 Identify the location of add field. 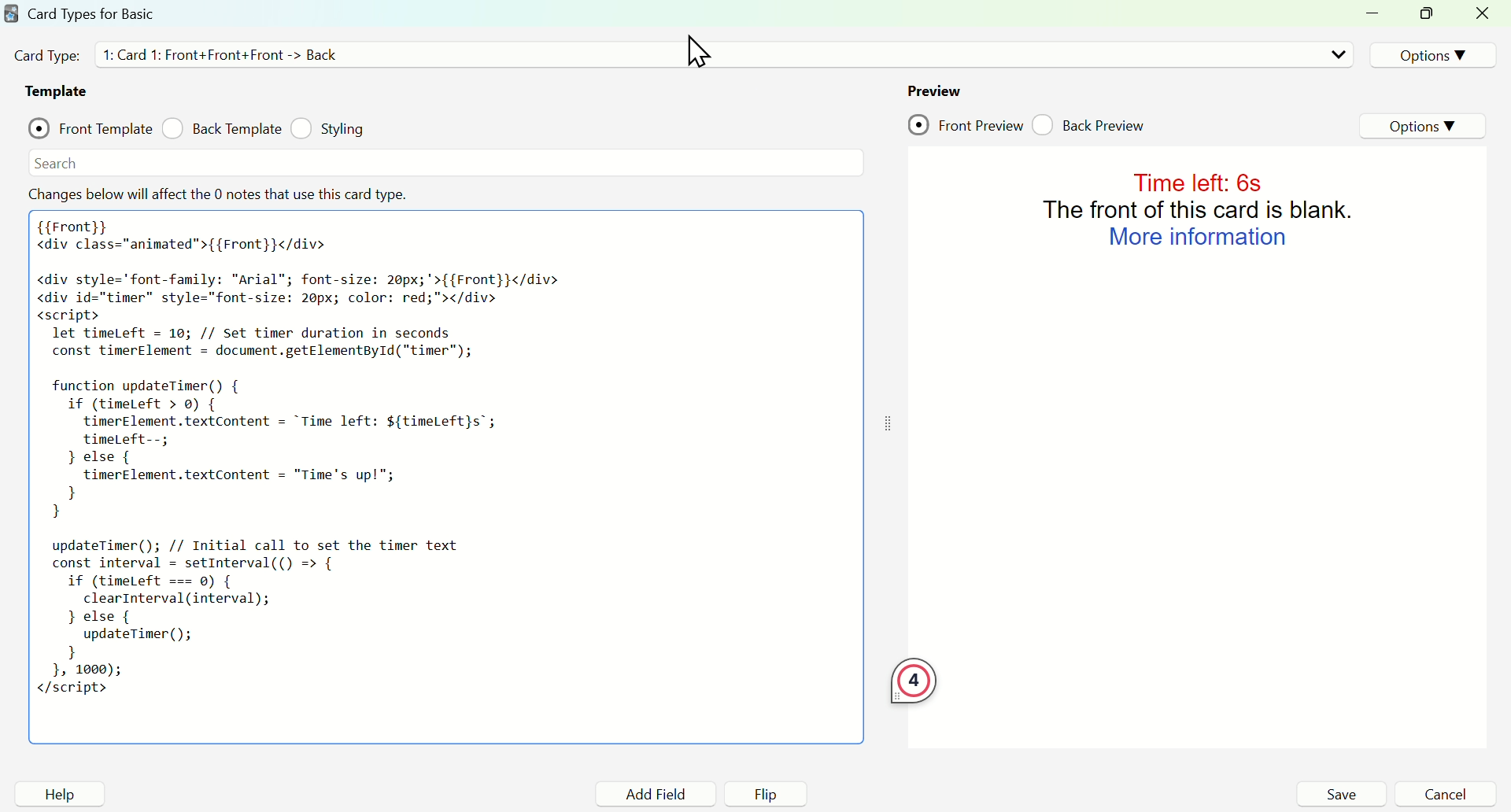
(653, 795).